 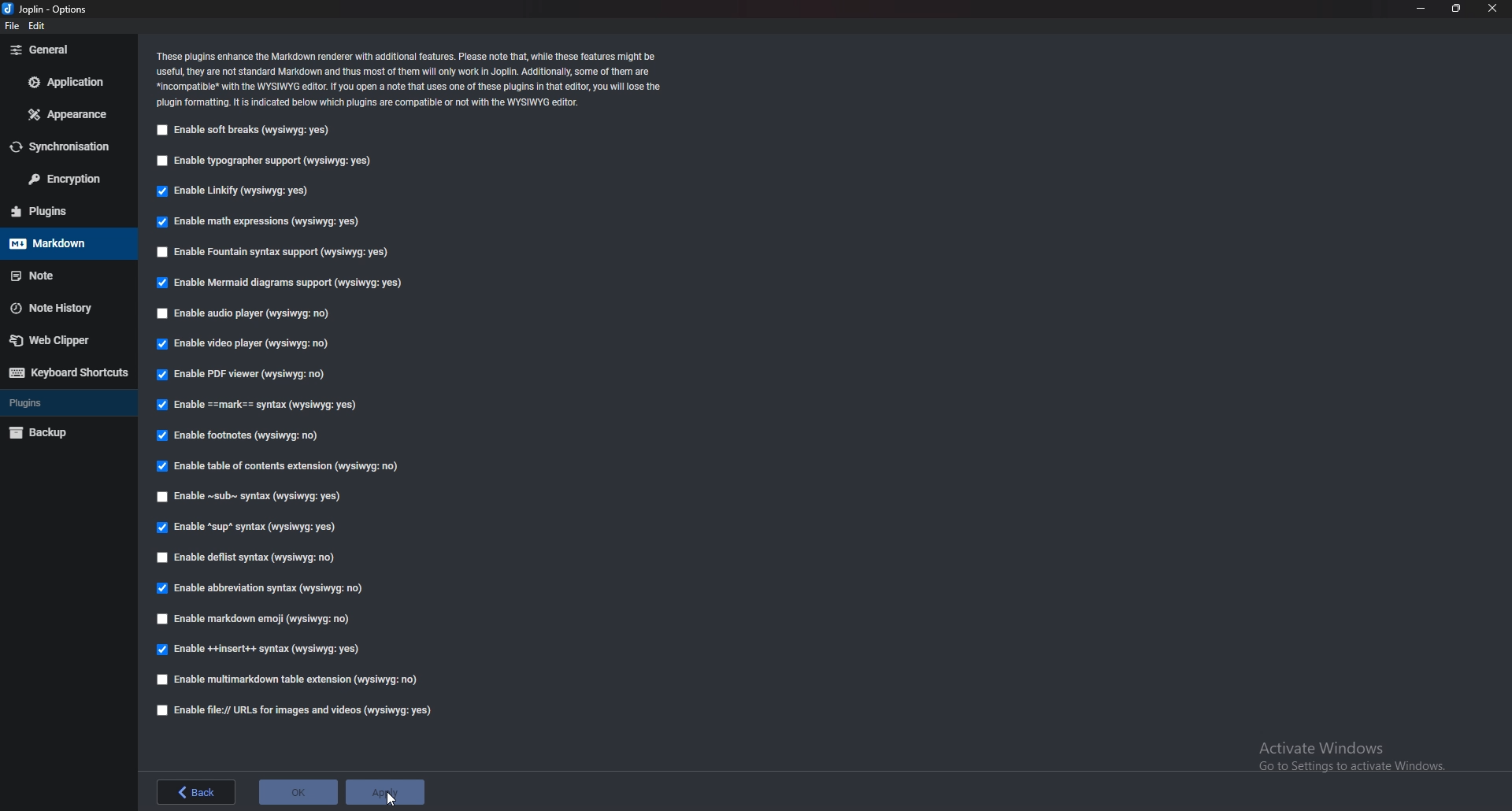 What do you see at coordinates (13, 26) in the screenshot?
I see `file` at bounding box center [13, 26].